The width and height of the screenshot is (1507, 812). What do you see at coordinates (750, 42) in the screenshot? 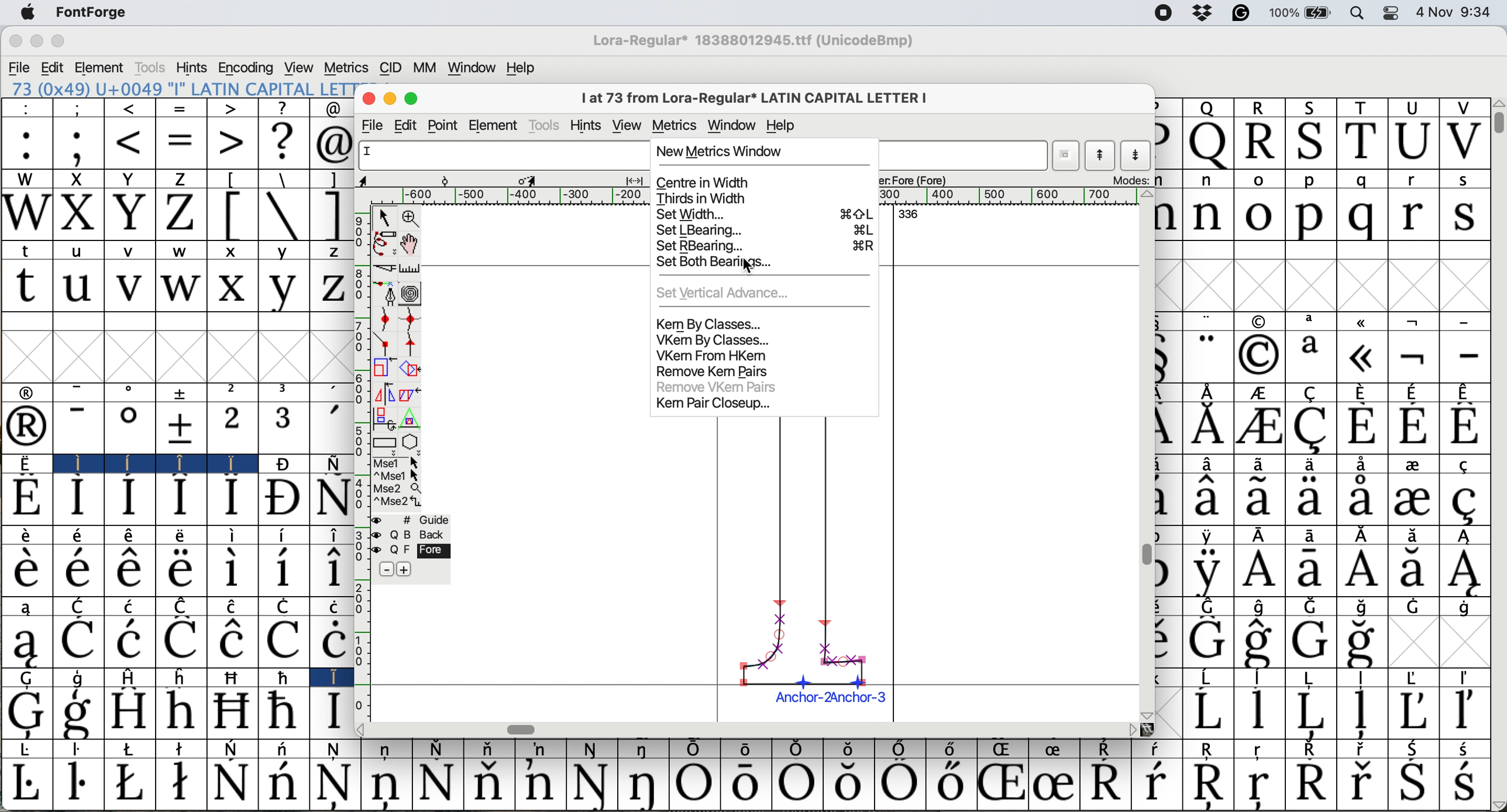
I see `Lora regular*18388012945.ttf (UnicodeBmp)` at bounding box center [750, 42].